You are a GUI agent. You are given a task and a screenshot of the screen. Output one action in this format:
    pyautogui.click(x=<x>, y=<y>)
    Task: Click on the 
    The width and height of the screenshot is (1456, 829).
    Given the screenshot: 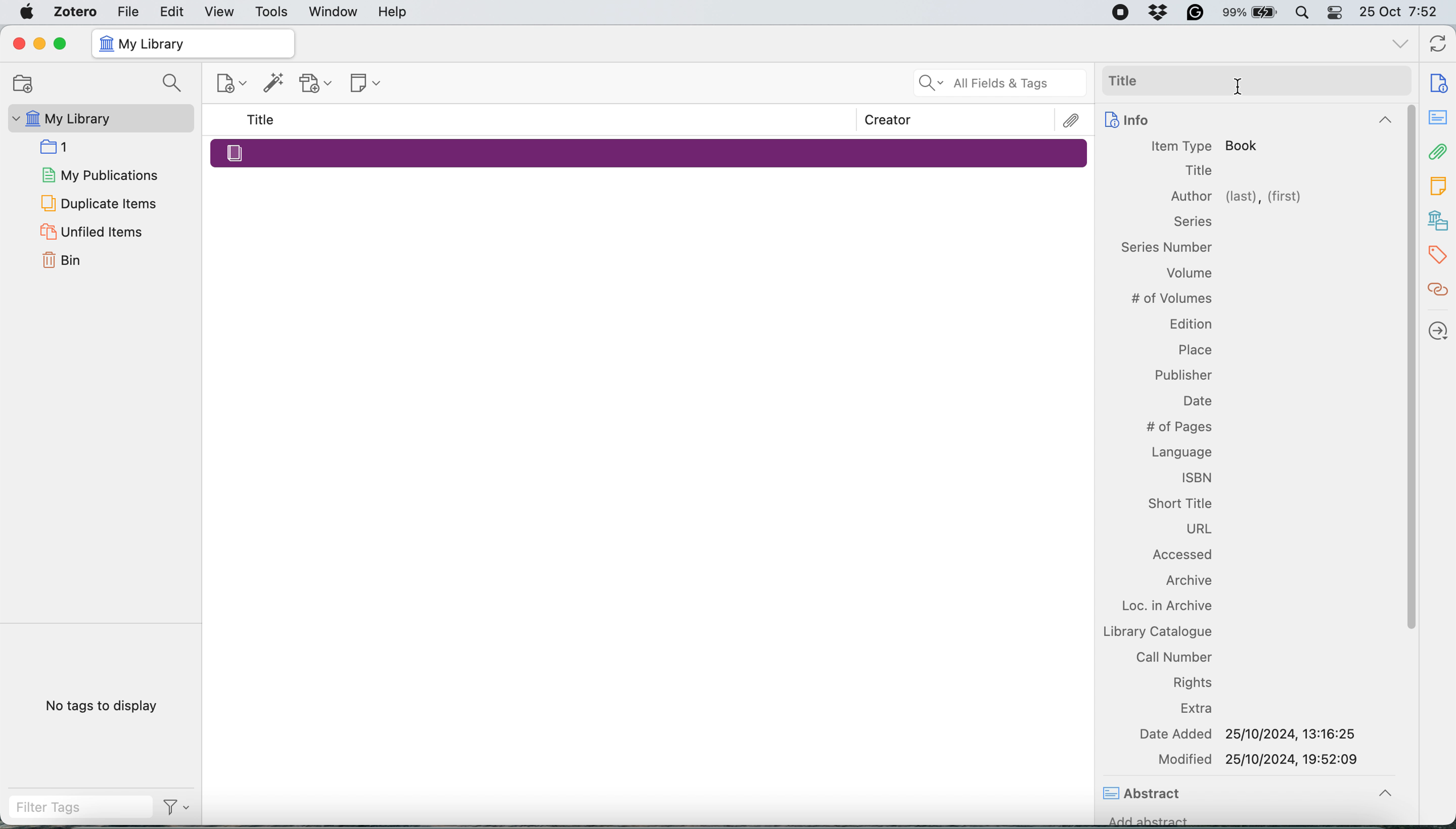 What is the action you would take?
    pyautogui.click(x=1167, y=246)
    